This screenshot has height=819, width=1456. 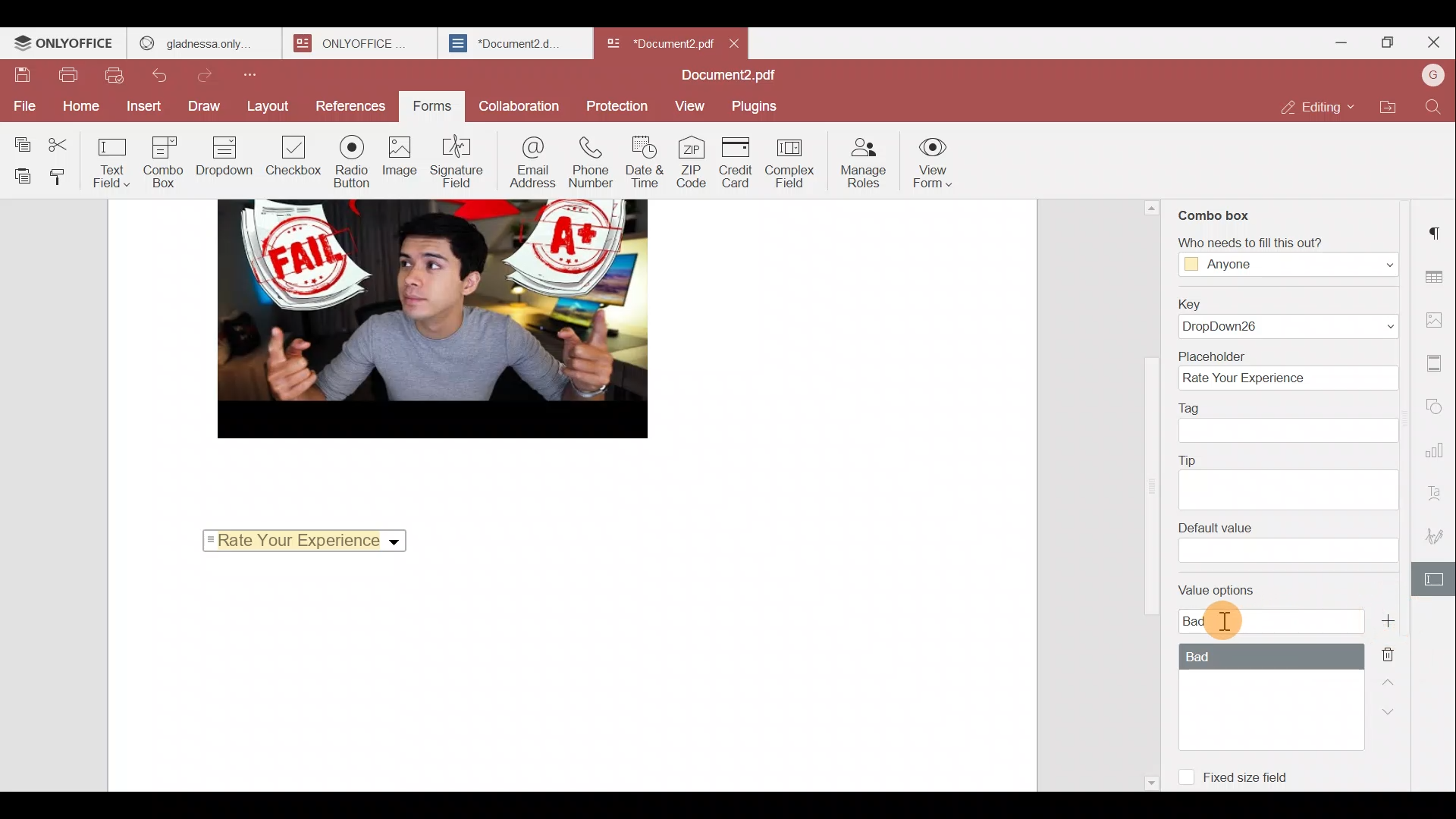 What do you see at coordinates (206, 107) in the screenshot?
I see `Draw` at bounding box center [206, 107].